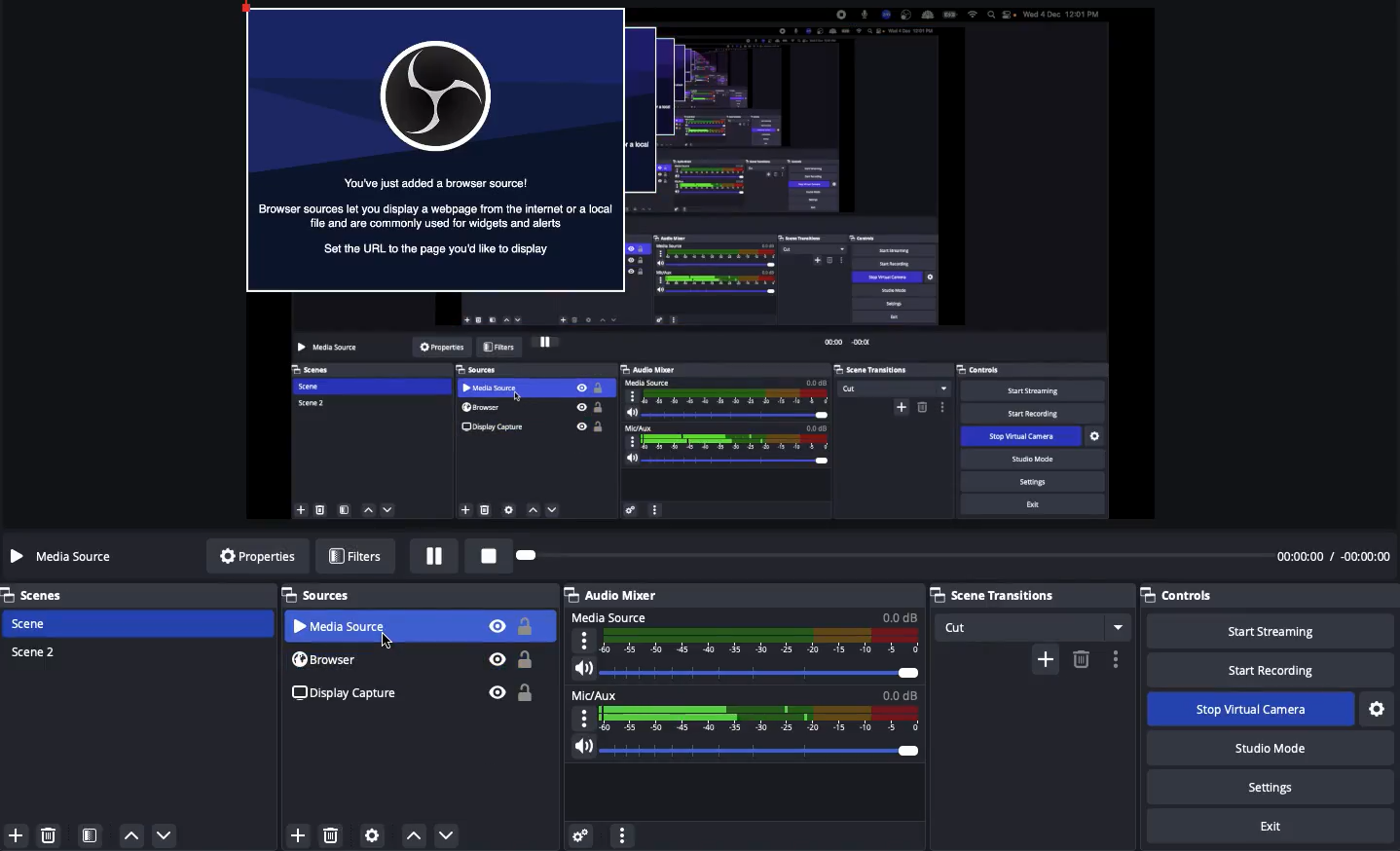 This screenshot has height=851, width=1400. Describe the element at coordinates (66, 558) in the screenshot. I see `Media source` at that location.